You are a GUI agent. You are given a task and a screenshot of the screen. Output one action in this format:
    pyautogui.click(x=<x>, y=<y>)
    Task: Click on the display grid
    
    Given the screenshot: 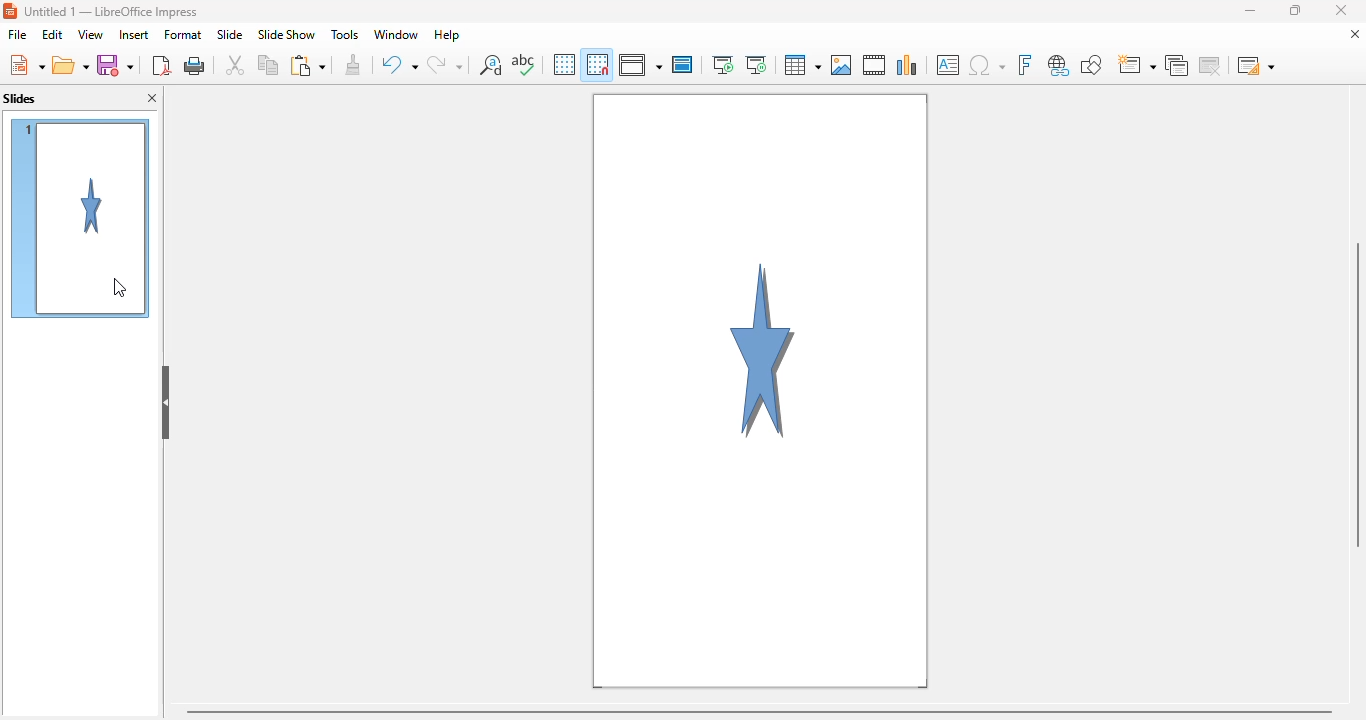 What is the action you would take?
    pyautogui.click(x=564, y=64)
    